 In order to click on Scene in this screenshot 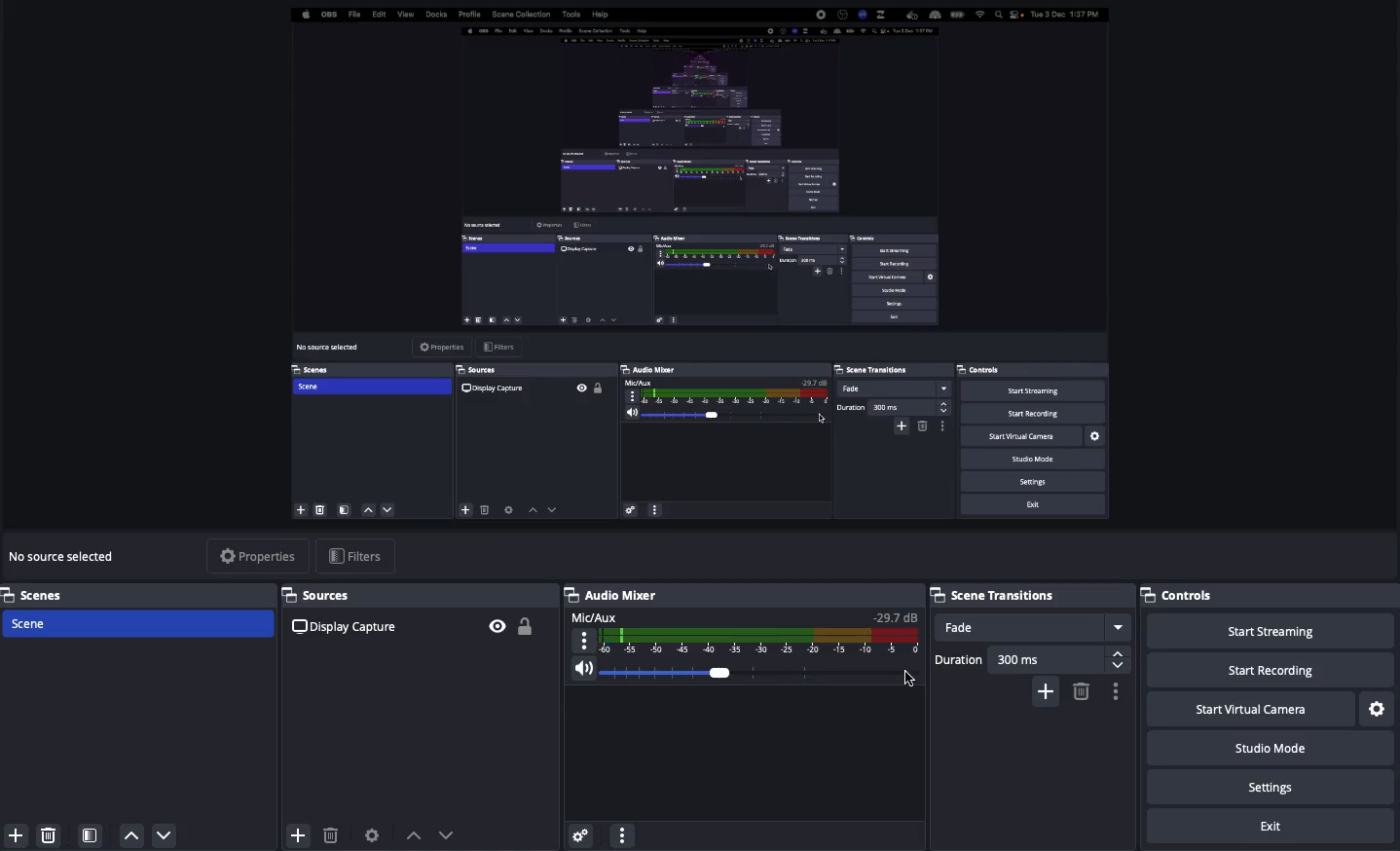, I will do `click(139, 625)`.